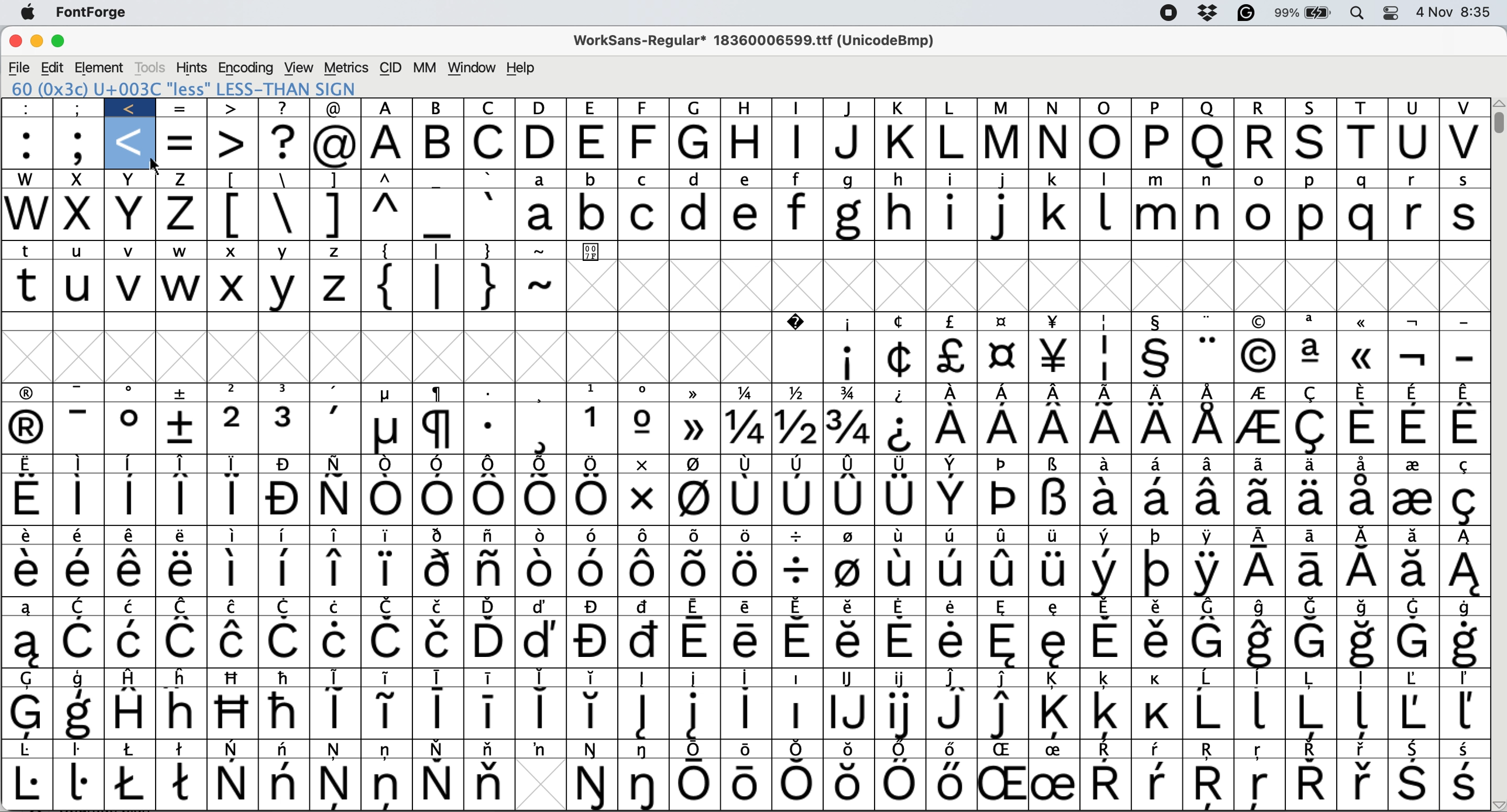  What do you see at coordinates (386, 428) in the screenshot?
I see `Symbol` at bounding box center [386, 428].